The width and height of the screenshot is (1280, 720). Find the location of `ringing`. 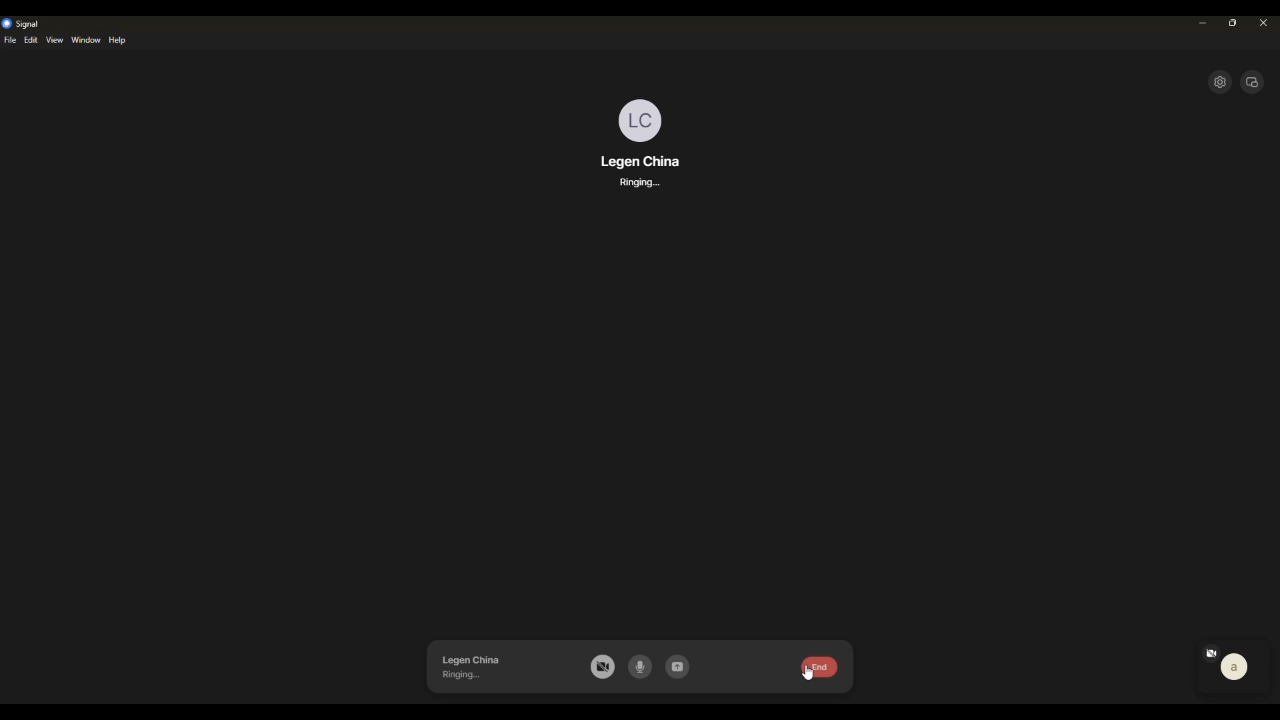

ringing is located at coordinates (642, 185).